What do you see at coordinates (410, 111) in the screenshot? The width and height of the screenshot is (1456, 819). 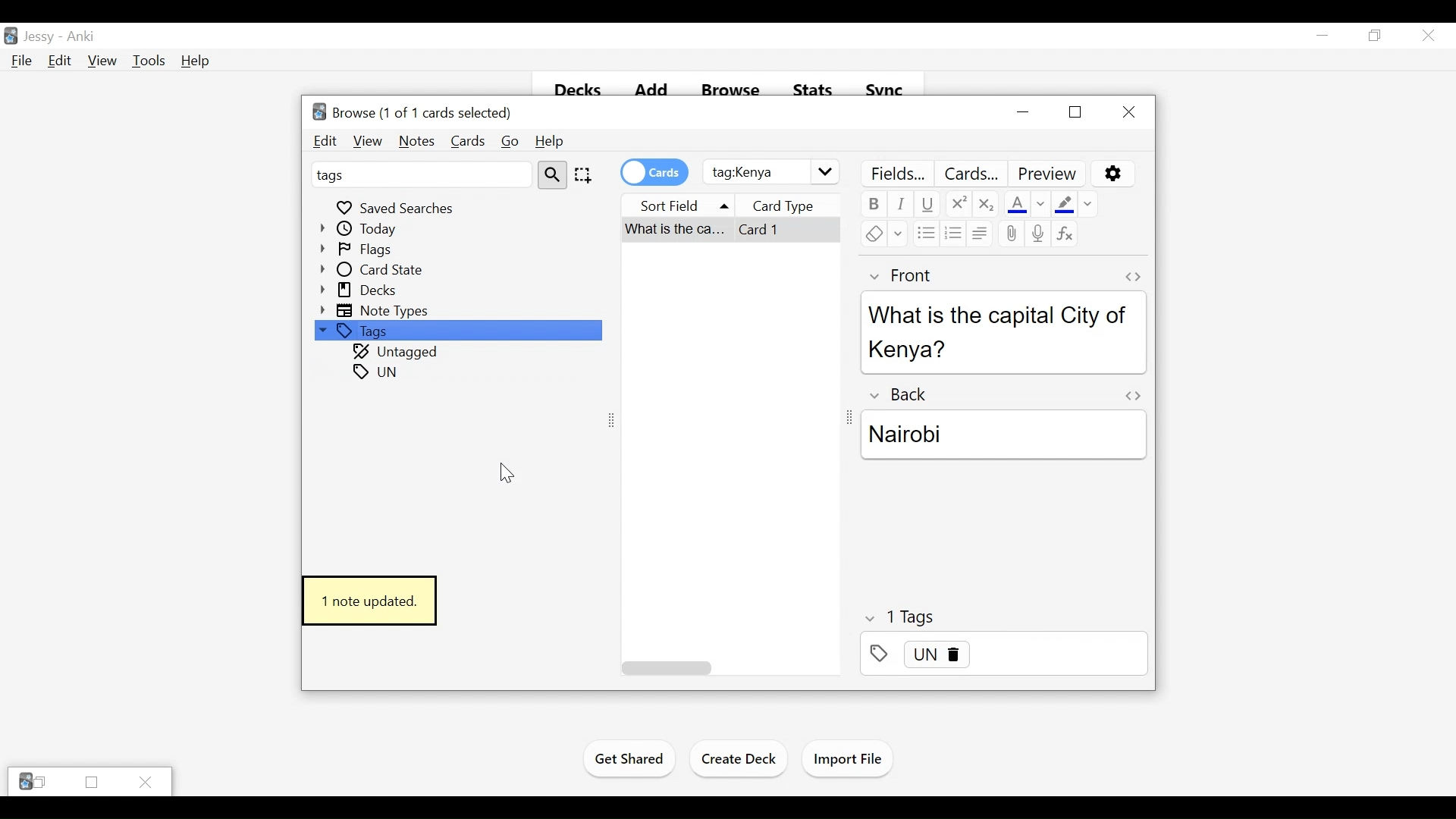 I see `Browse (0 of 0 cards selected)` at bounding box center [410, 111].